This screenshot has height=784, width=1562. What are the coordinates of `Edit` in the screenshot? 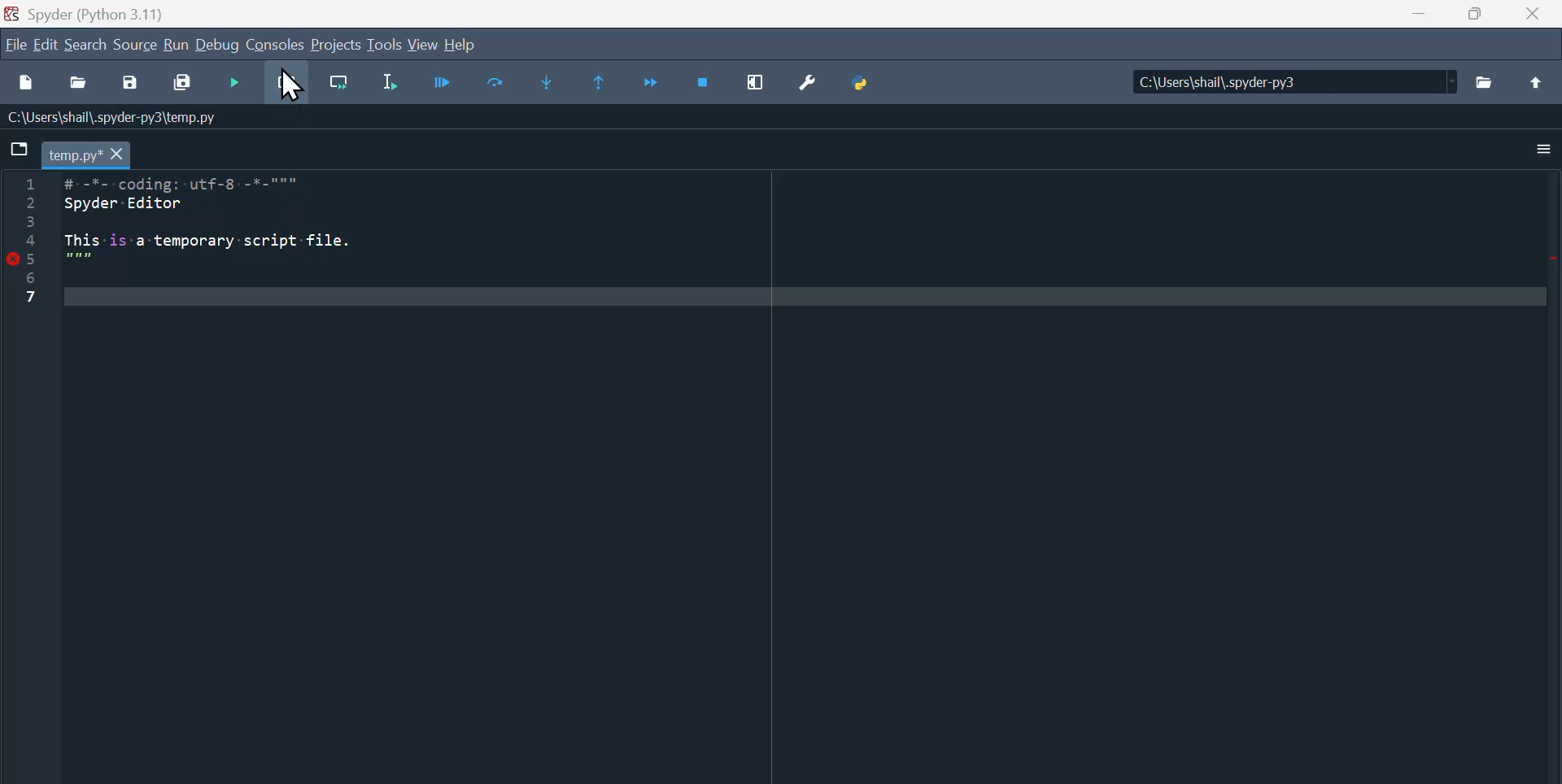 It's located at (47, 44).